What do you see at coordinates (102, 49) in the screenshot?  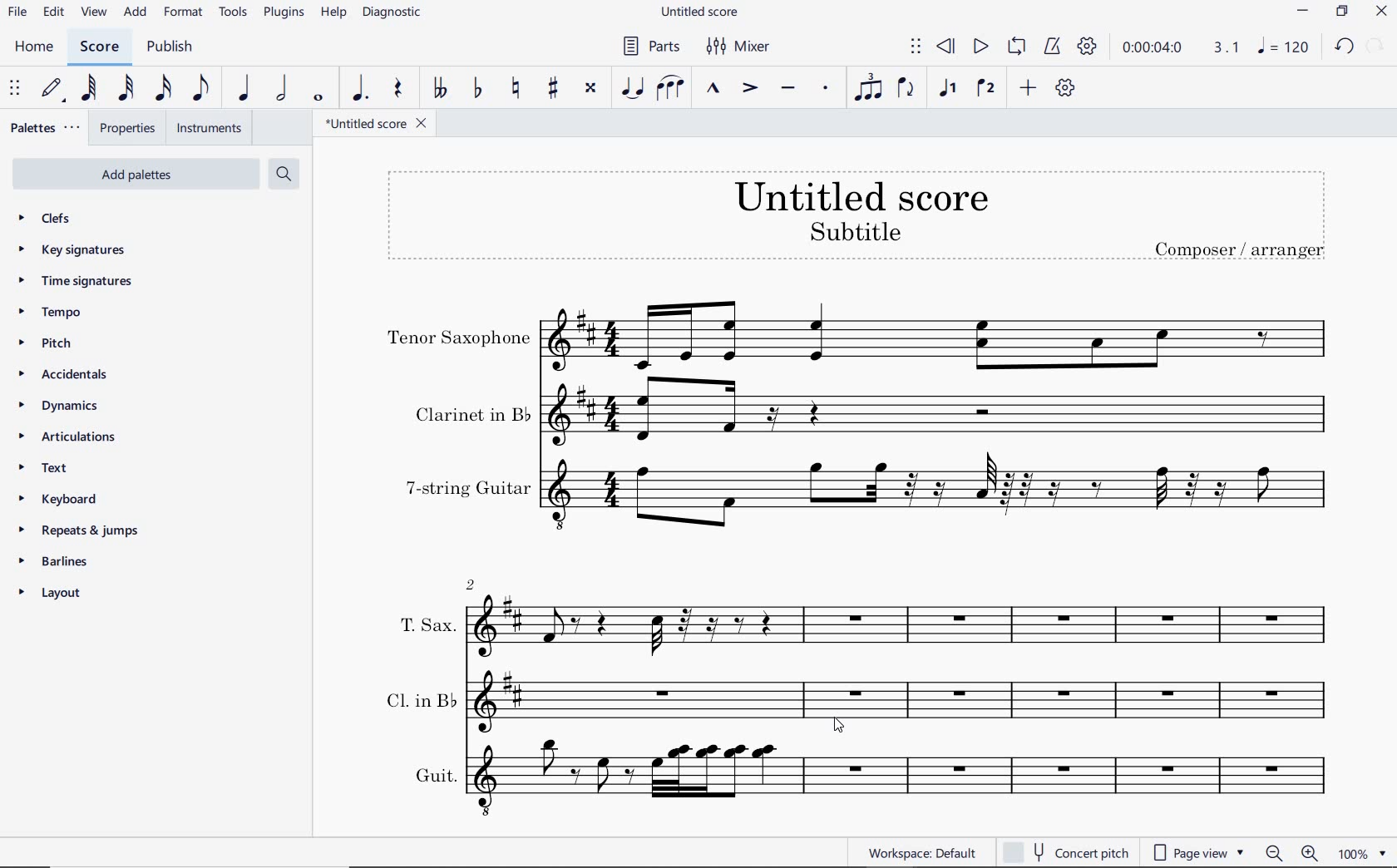 I see `SCORE` at bounding box center [102, 49].